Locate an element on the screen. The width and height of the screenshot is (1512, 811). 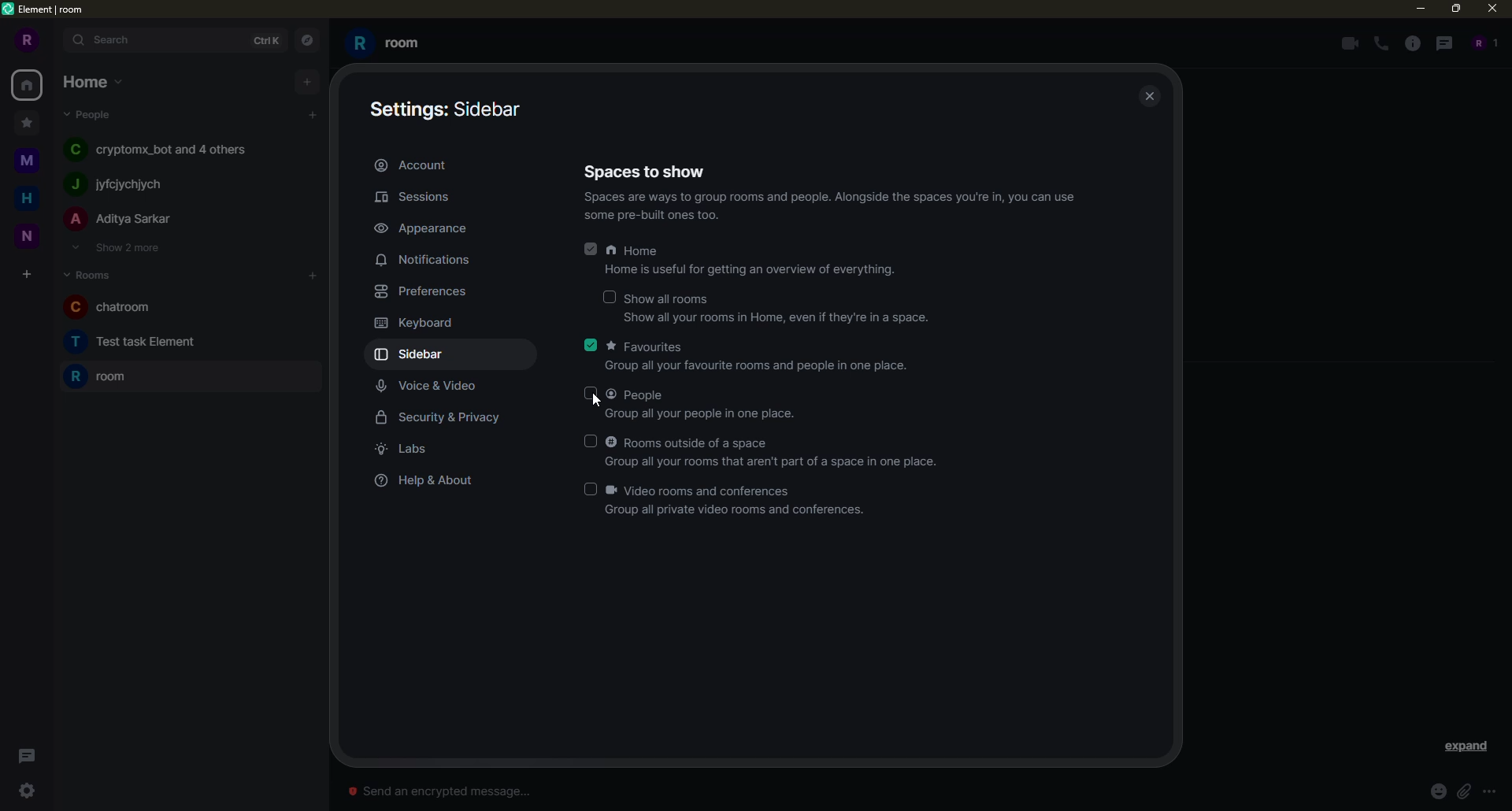
expand is located at coordinates (54, 39).